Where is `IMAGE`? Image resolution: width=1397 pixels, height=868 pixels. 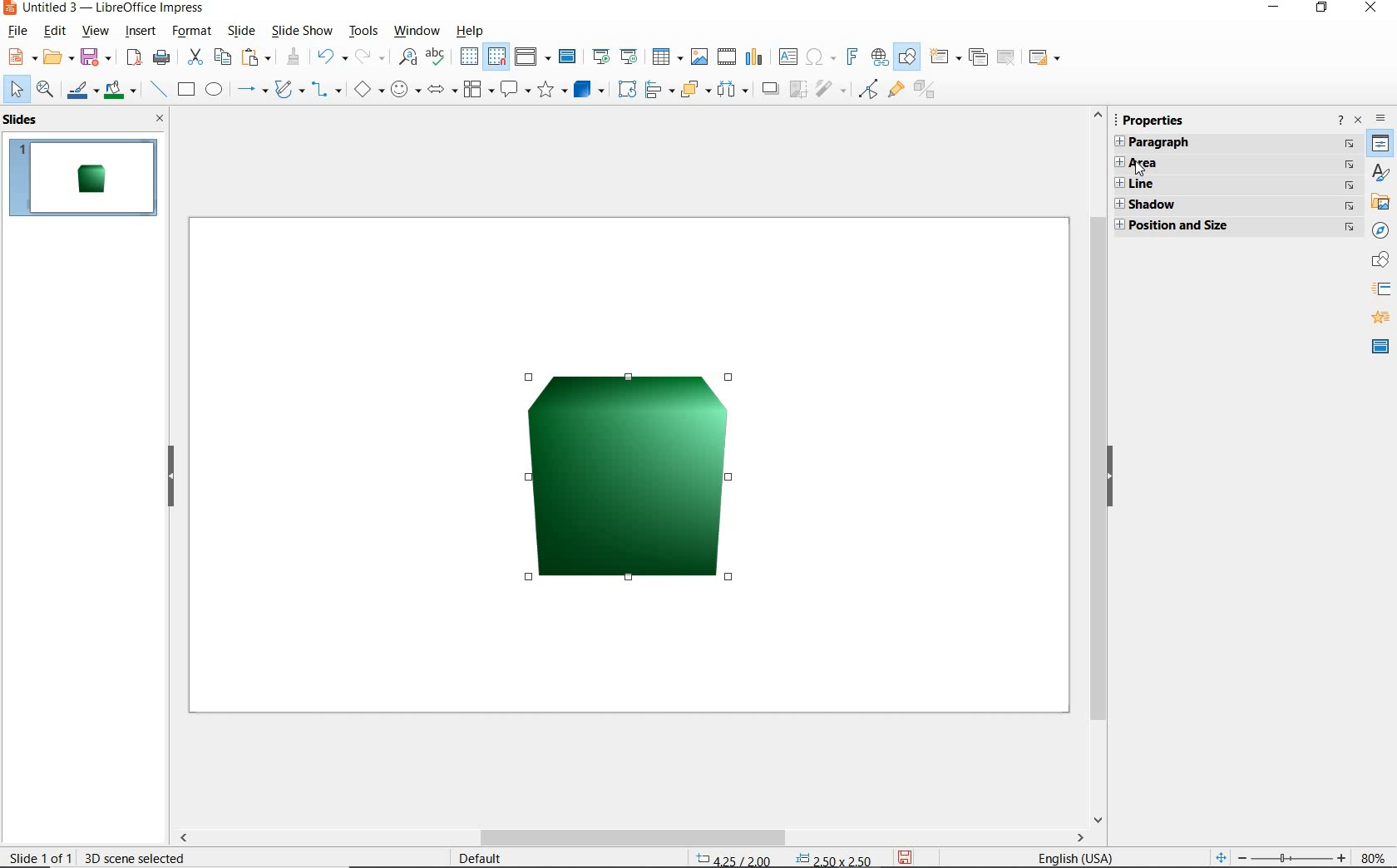
IMAGE is located at coordinates (626, 476).